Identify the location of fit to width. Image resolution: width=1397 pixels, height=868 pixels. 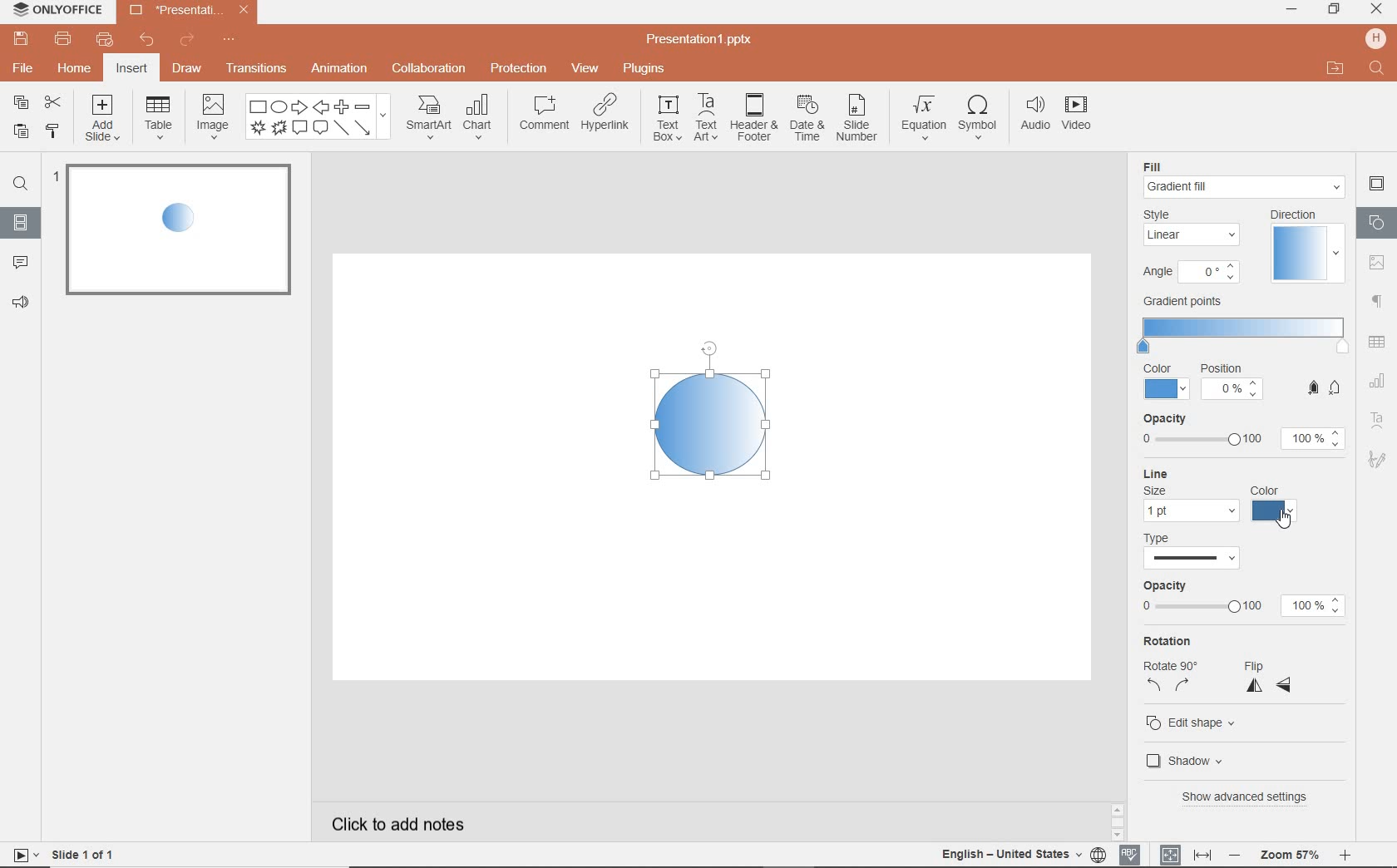
(1202, 852).